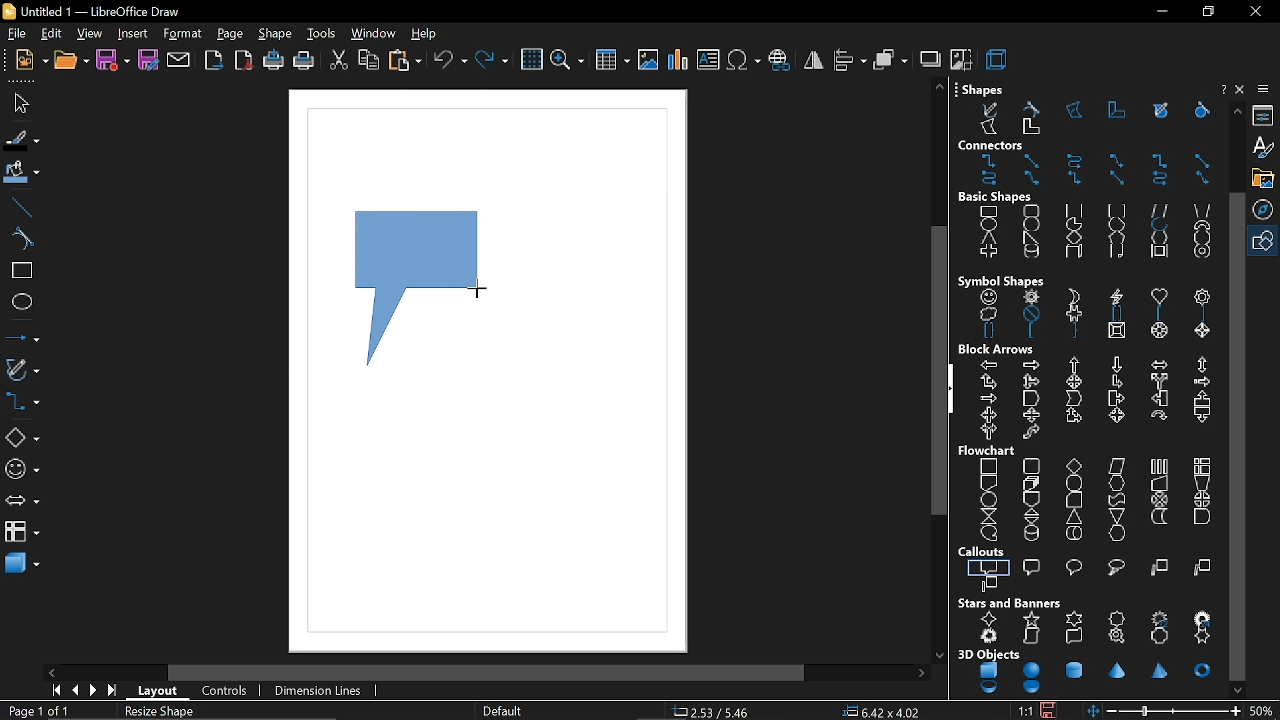  What do you see at coordinates (1119, 670) in the screenshot?
I see `cone` at bounding box center [1119, 670].